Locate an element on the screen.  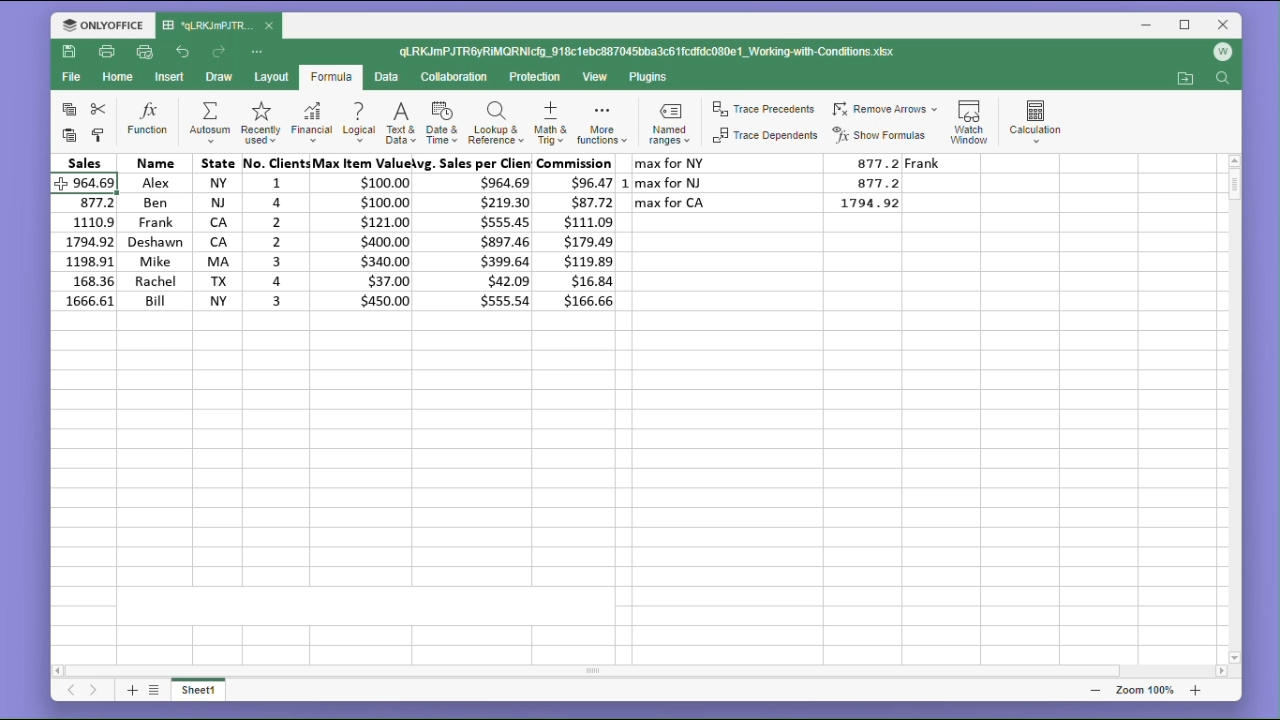
zoom 100% is located at coordinates (1141, 690).